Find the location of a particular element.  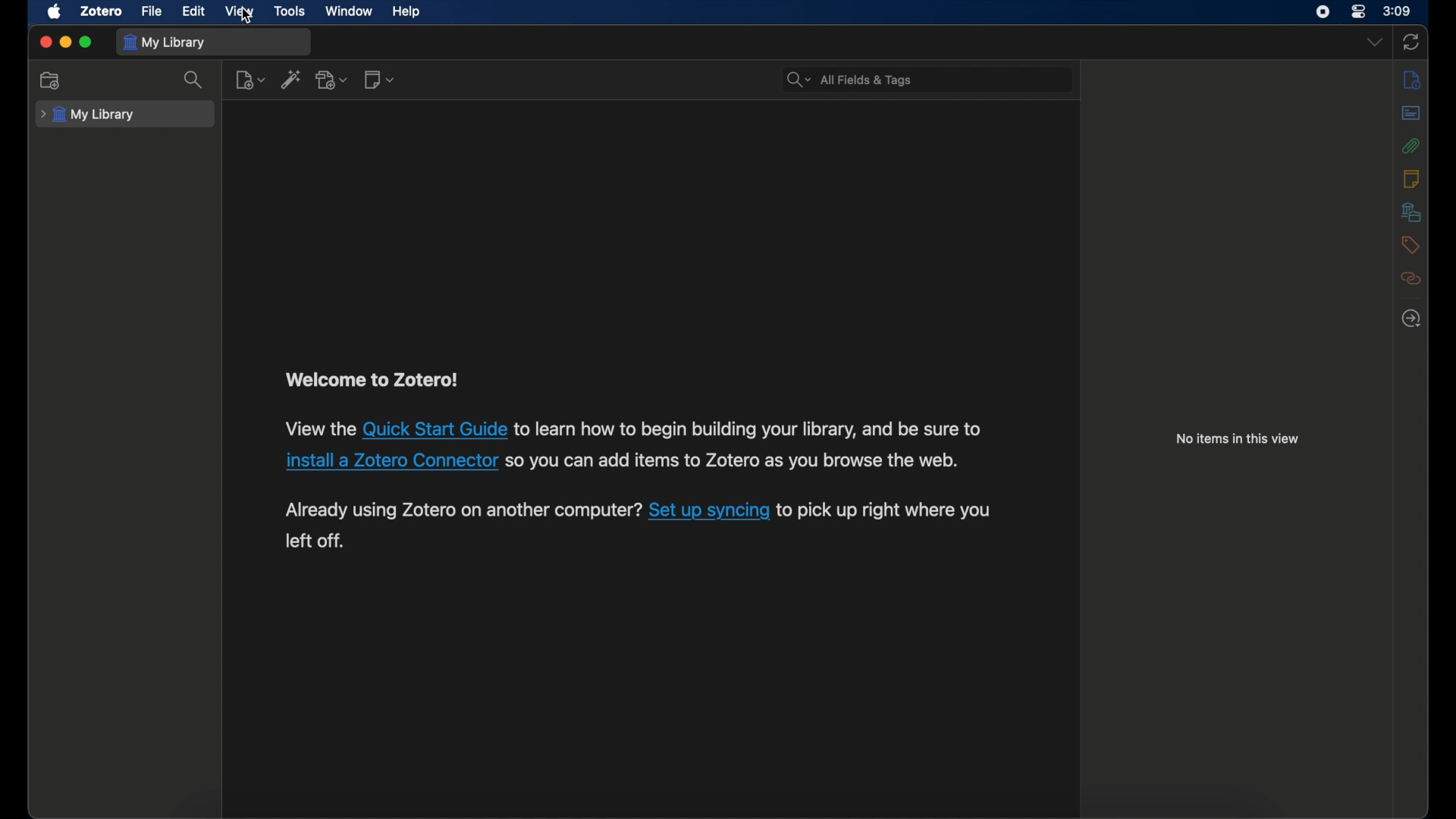

zotero is located at coordinates (100, 11).